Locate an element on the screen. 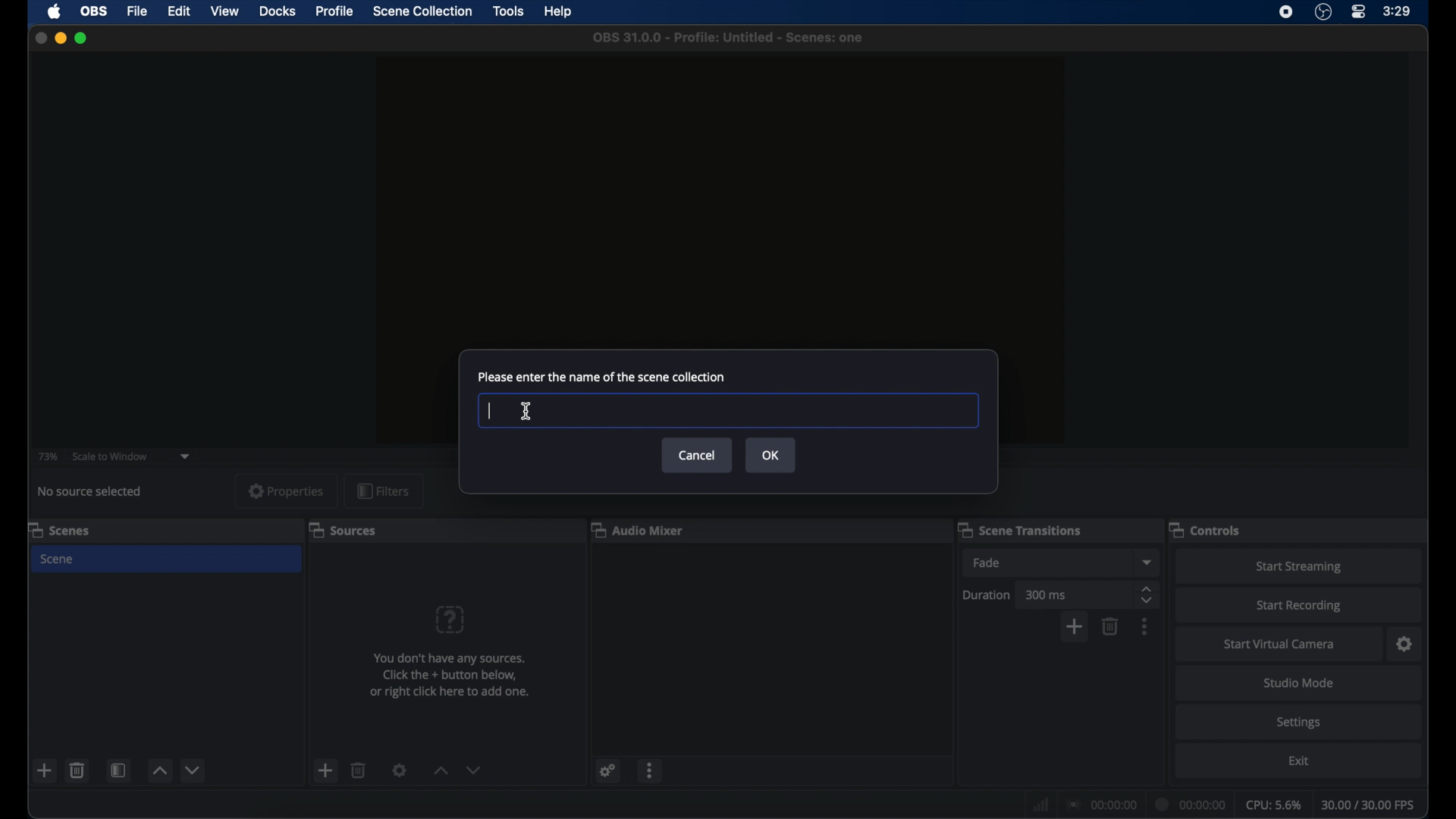 Image resolution: width=1456 pixels, height=819 pixels. 73% is located at coordinates (47, 456).